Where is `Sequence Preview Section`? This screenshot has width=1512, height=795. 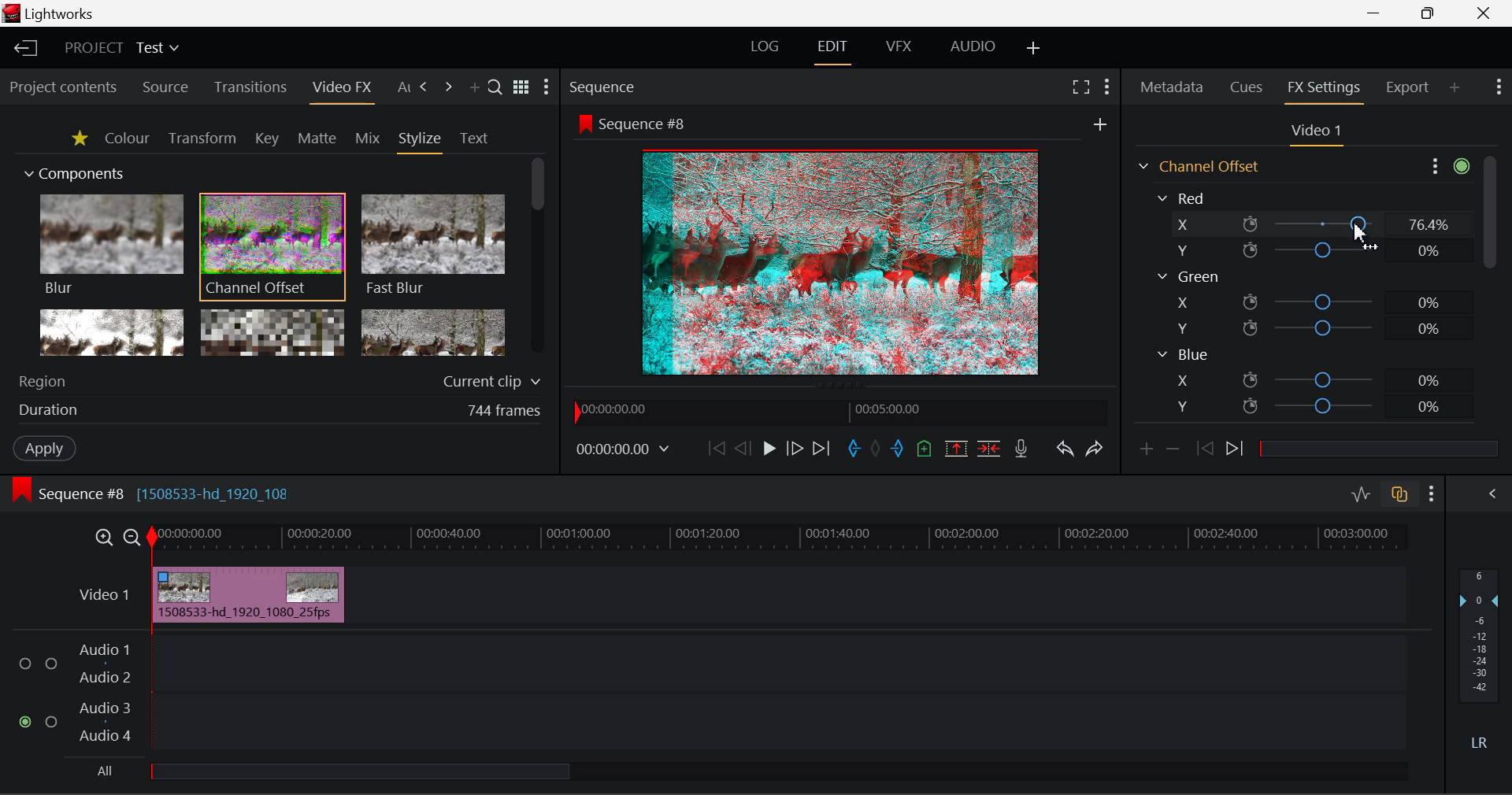 Sequence Preview Section is located at coordinates (604, 86).